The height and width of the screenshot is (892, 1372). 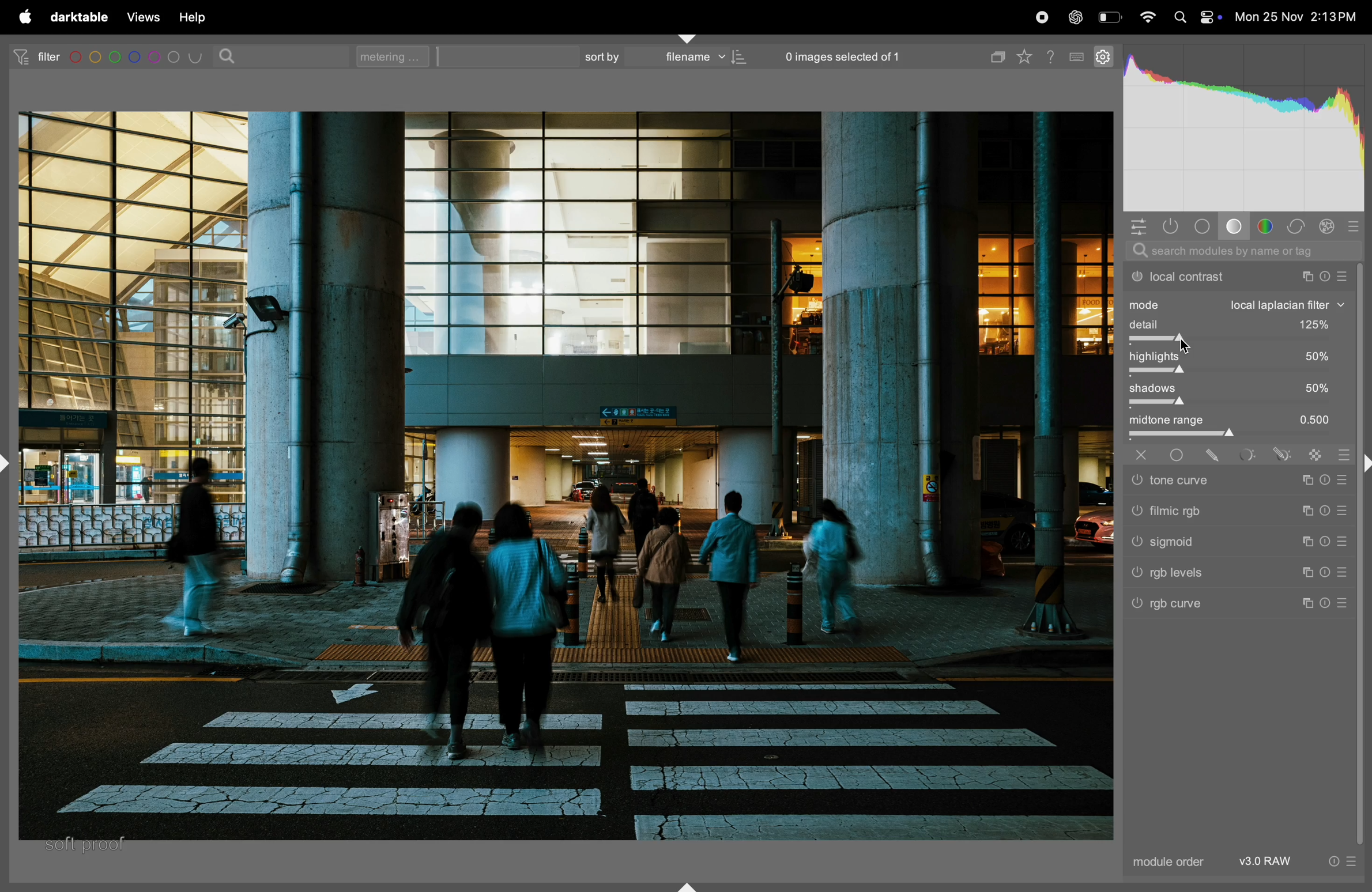 I want to click on apple menu, so click(x=22, y=17).